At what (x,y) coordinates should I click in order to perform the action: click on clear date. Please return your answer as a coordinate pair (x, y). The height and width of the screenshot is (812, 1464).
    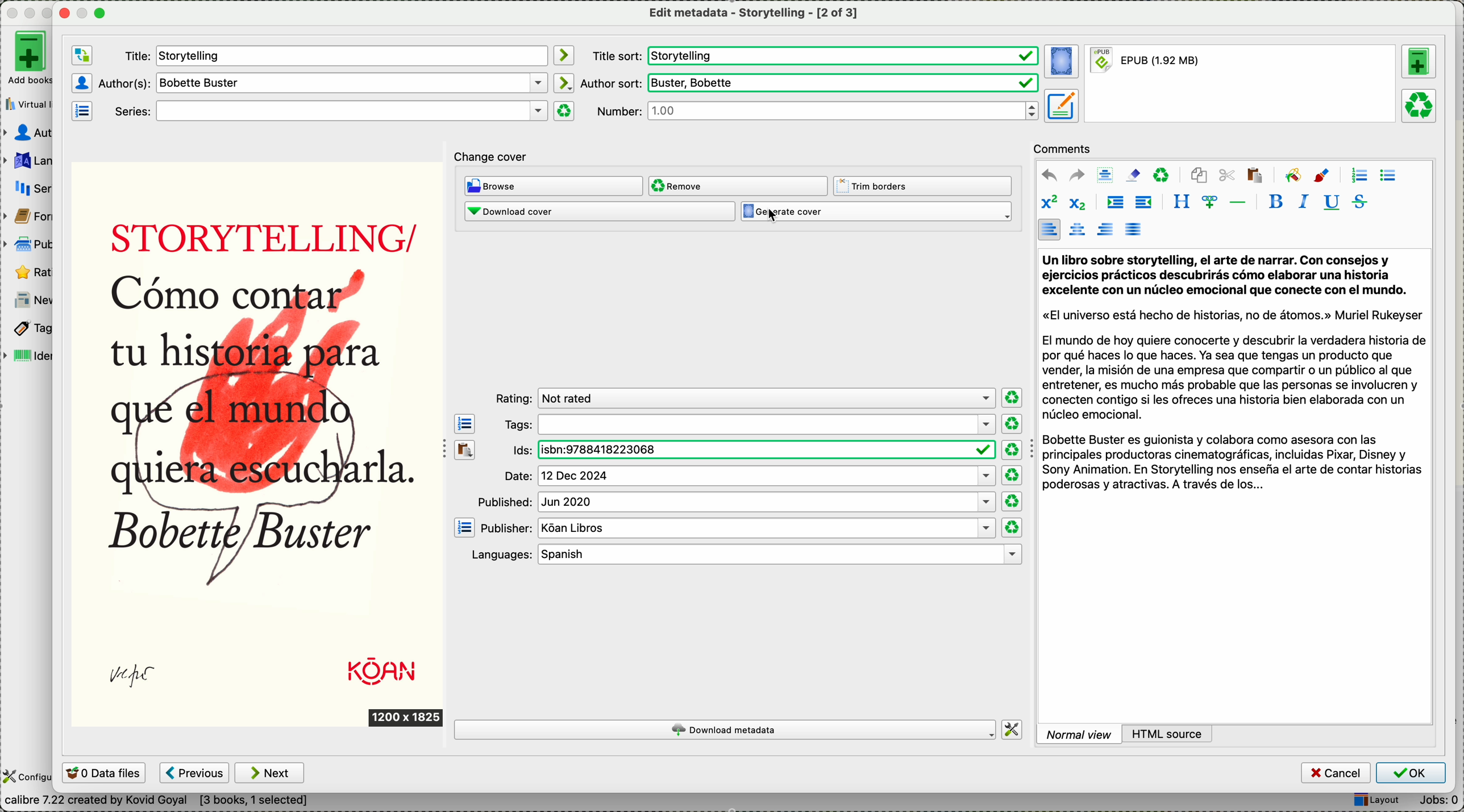
    Looking at the image, I should click on (1013, 424).